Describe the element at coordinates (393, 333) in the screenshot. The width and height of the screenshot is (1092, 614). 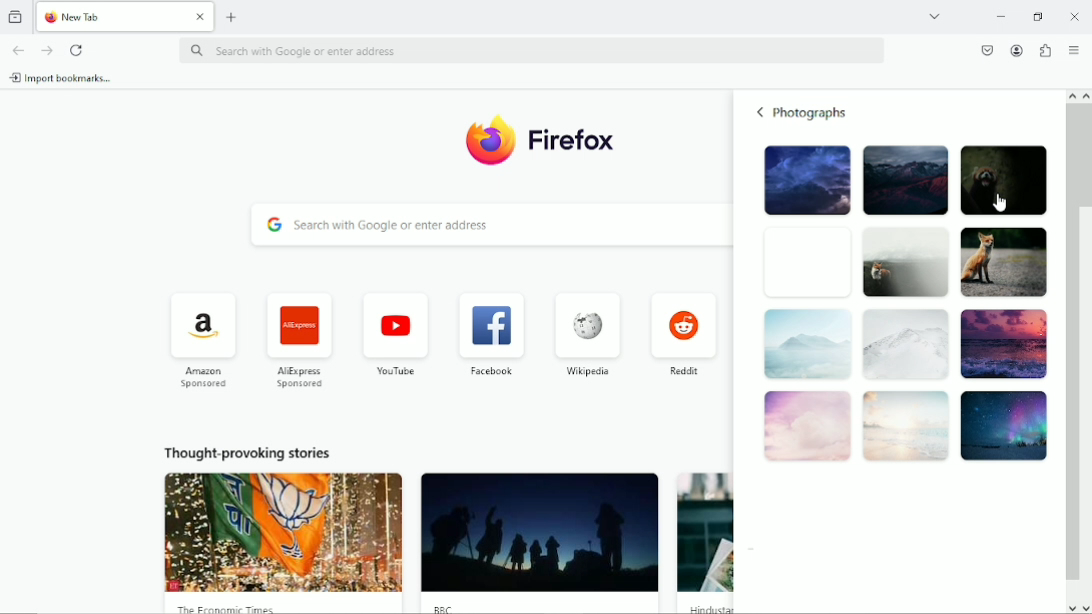
I see `Youtube` at that location.